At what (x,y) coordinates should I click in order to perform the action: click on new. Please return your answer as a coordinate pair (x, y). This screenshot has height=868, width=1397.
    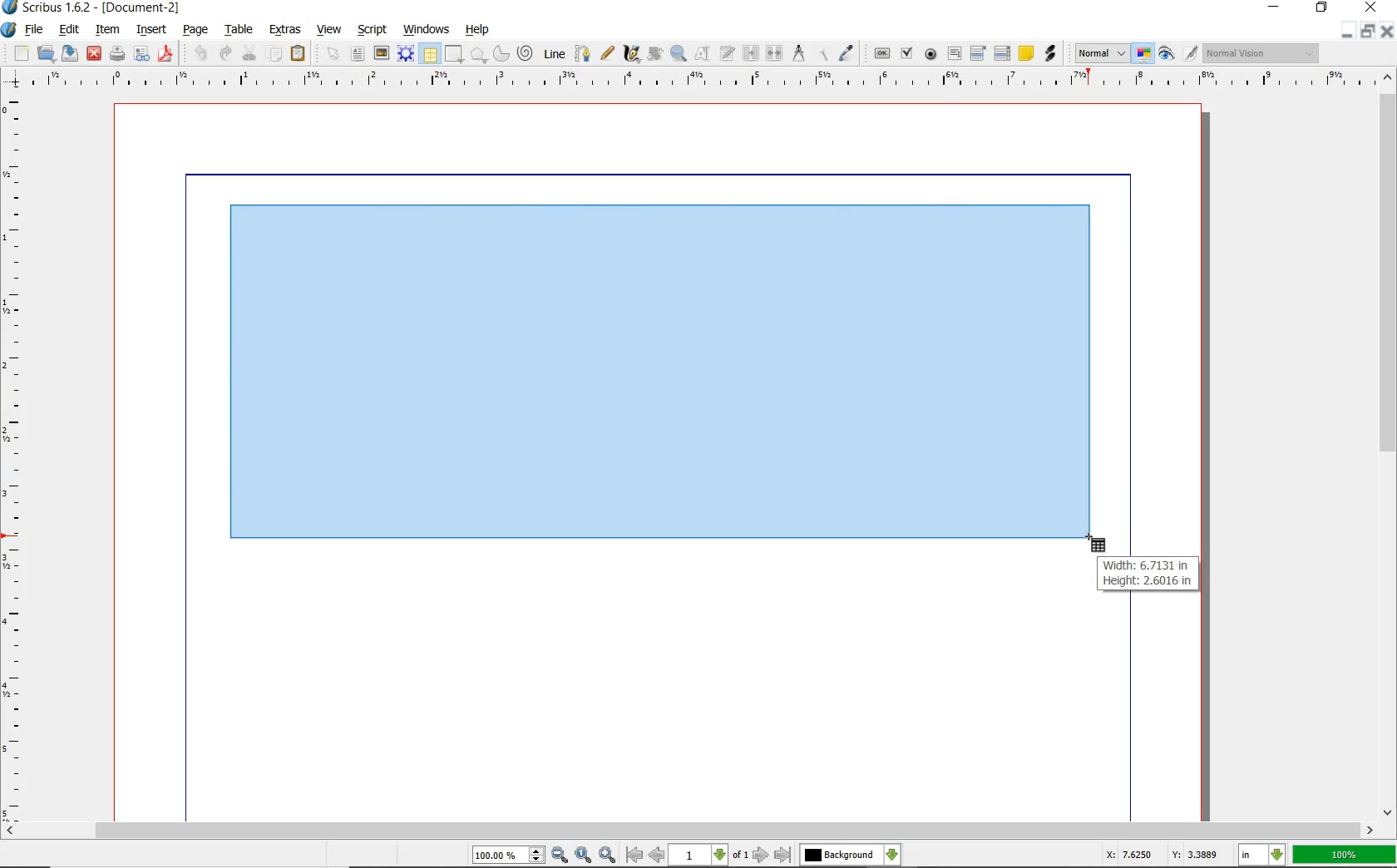
    Looking at the image, I should click on (22, 52).